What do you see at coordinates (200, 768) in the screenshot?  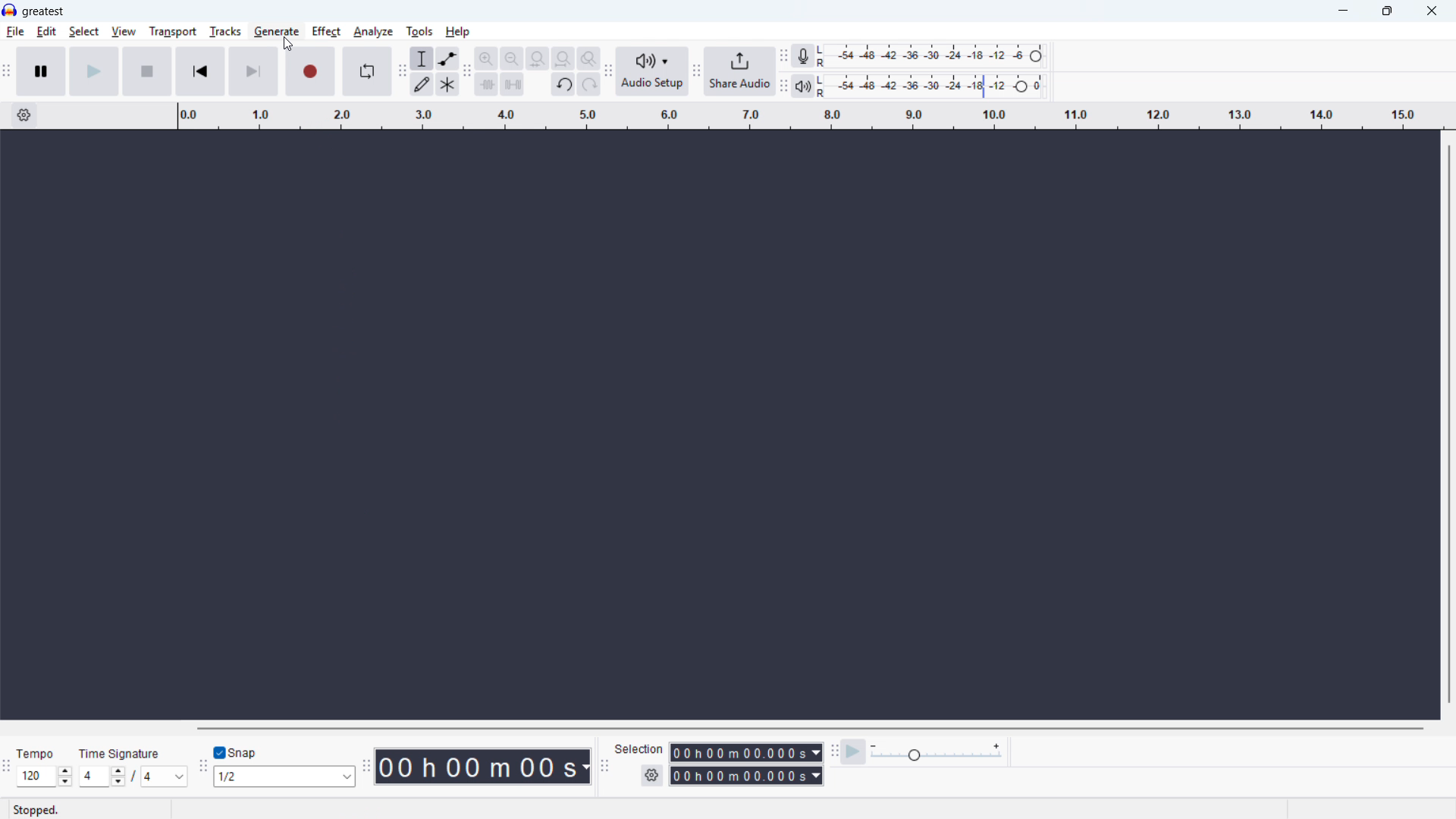 I see `Snapping toolbar ` at bounding box center [200, 768].